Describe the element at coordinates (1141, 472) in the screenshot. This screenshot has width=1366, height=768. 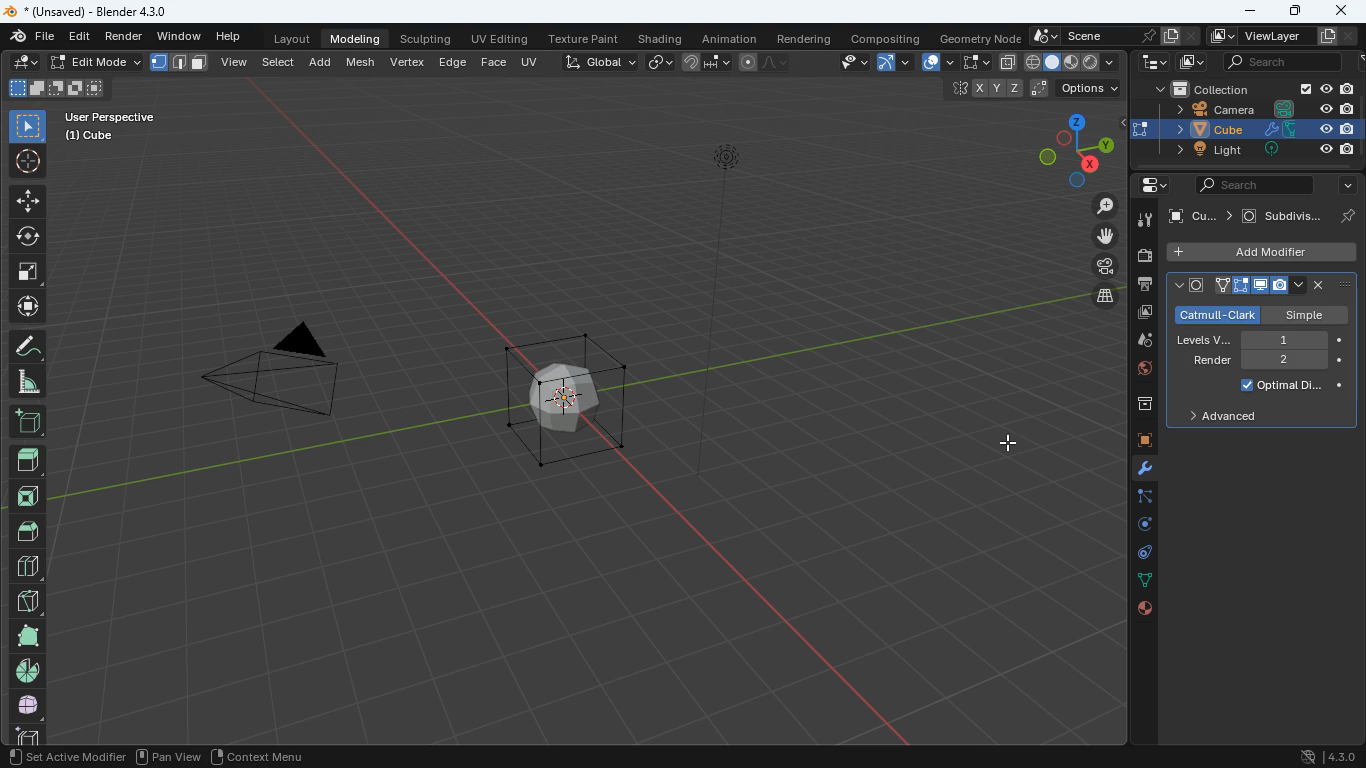
I see `modifiers` at that location.